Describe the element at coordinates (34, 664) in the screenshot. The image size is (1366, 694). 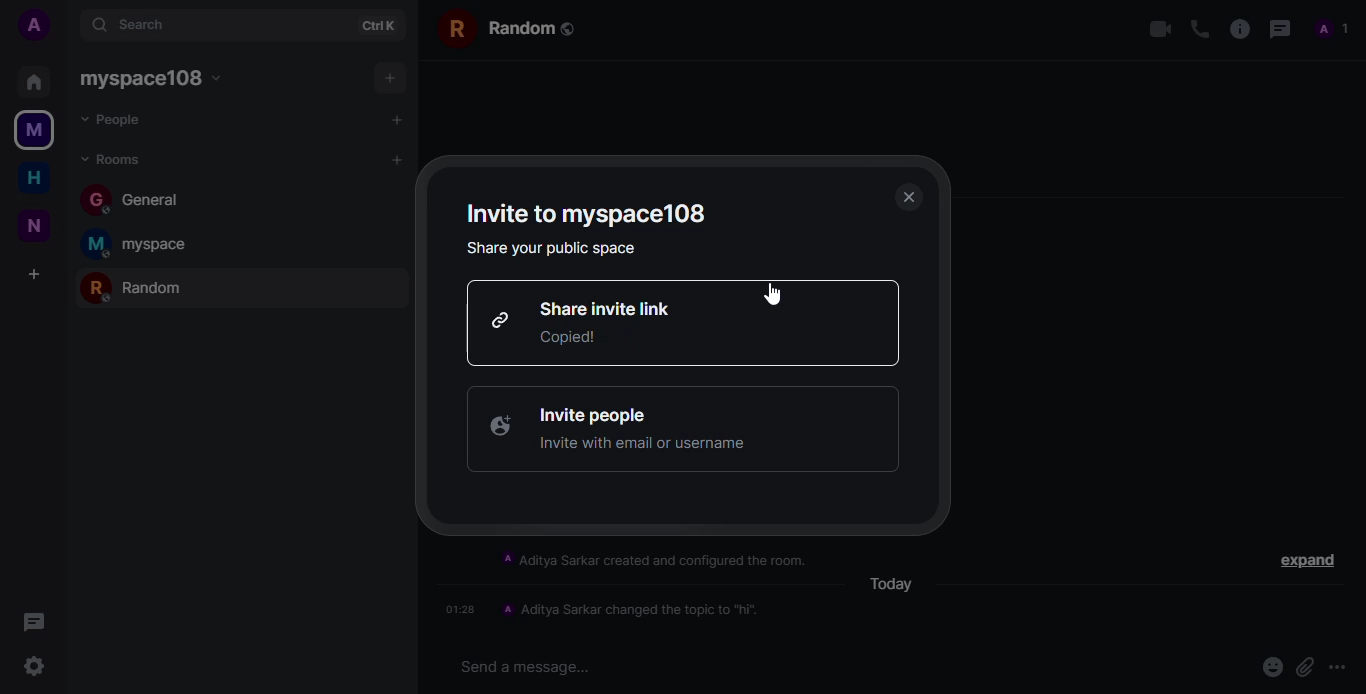
I see `setting` at that location.